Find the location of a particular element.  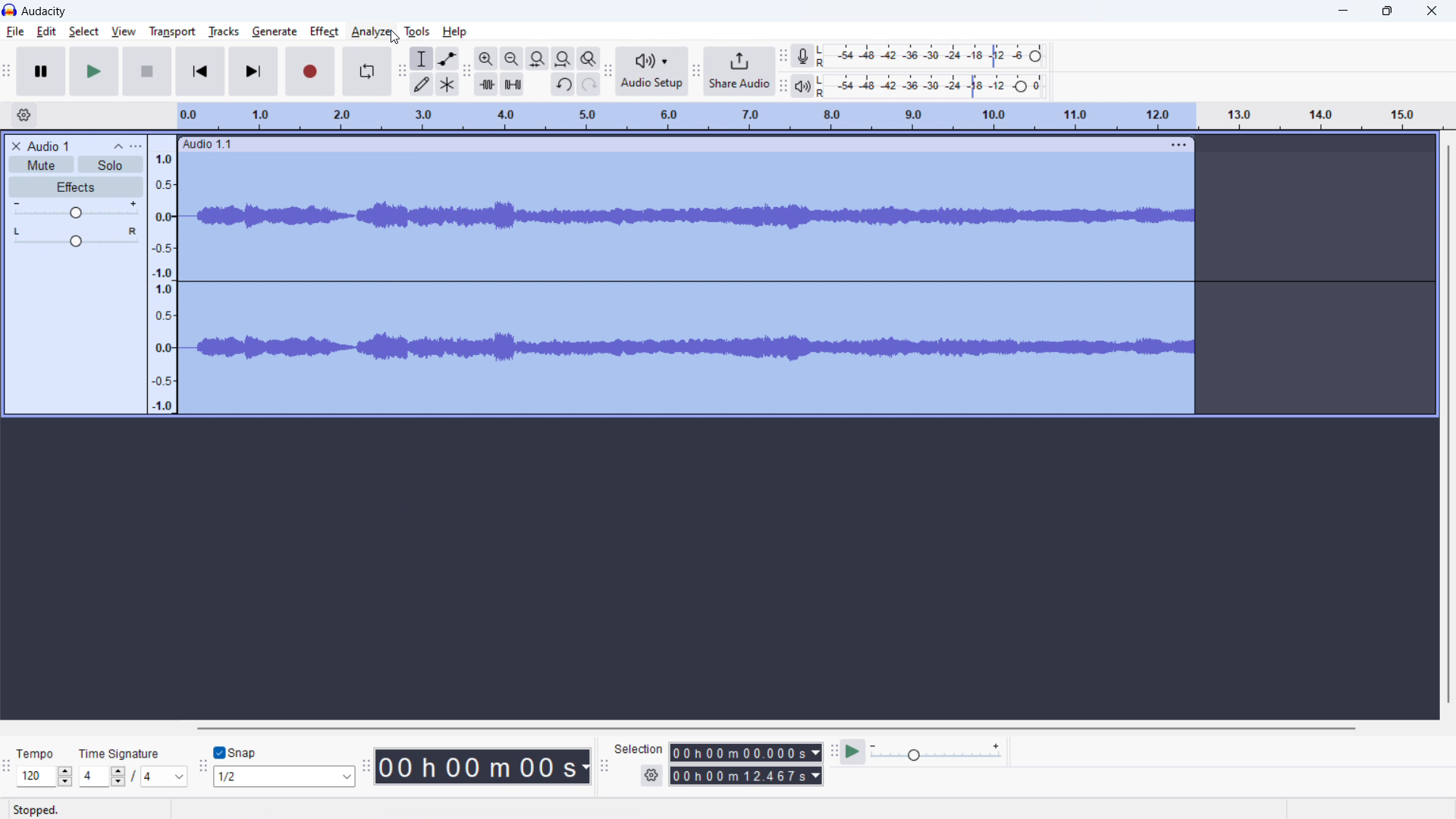

Selection is located at coordinates (644, 748).